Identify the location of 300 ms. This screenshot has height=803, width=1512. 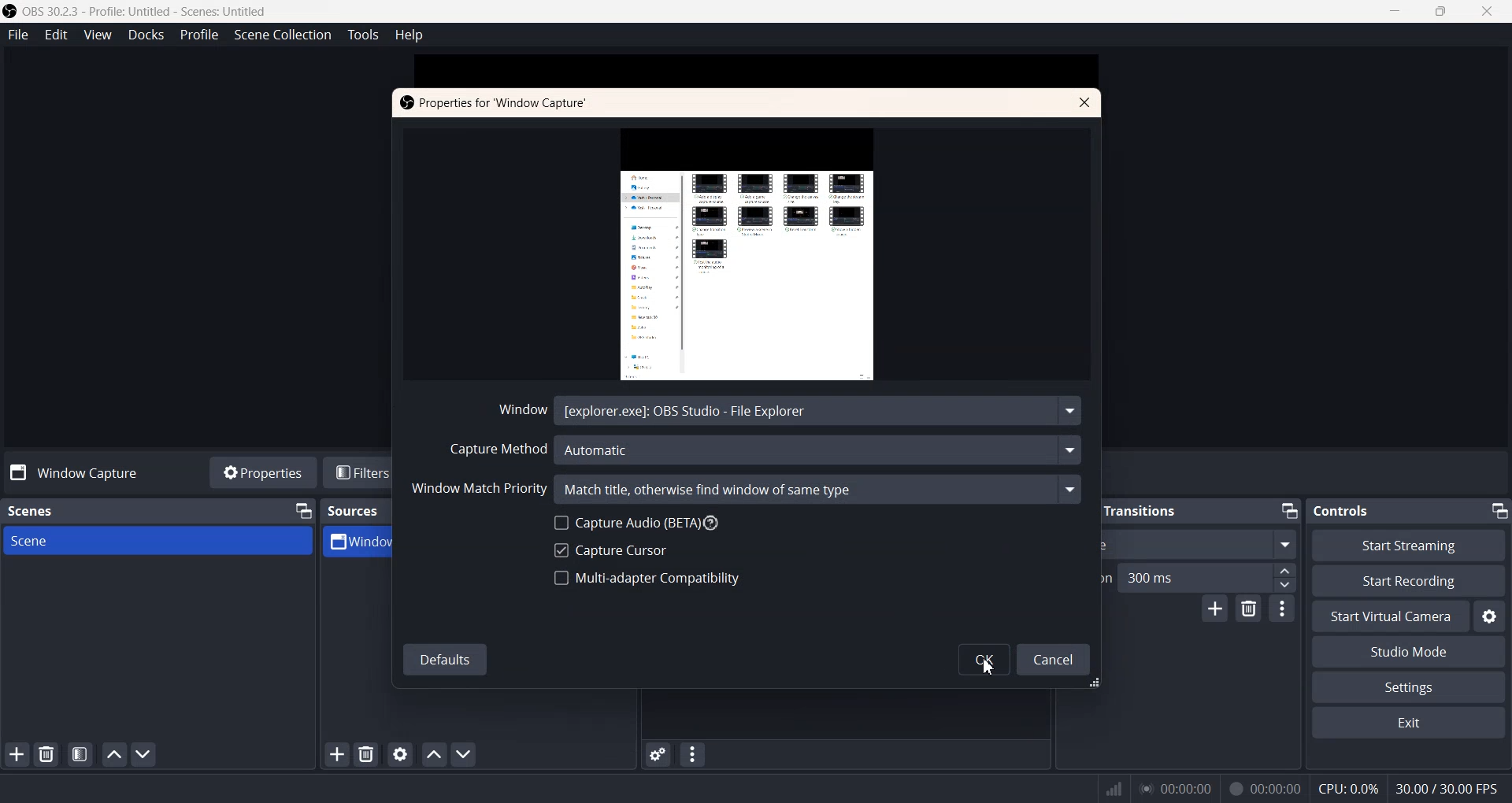
(1210, 576).